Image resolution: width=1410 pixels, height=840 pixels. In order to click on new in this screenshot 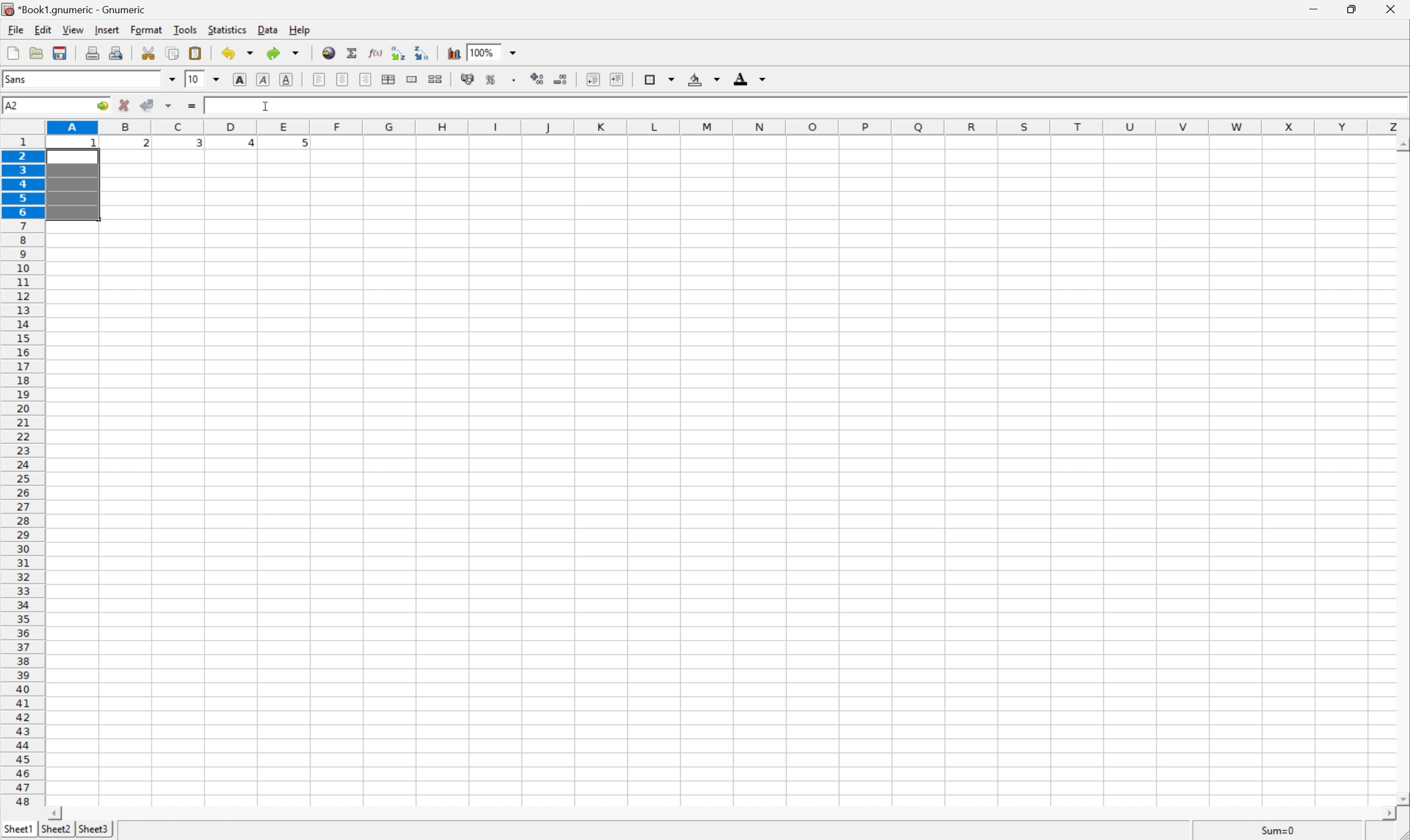, I will do `click(14, 52)`.